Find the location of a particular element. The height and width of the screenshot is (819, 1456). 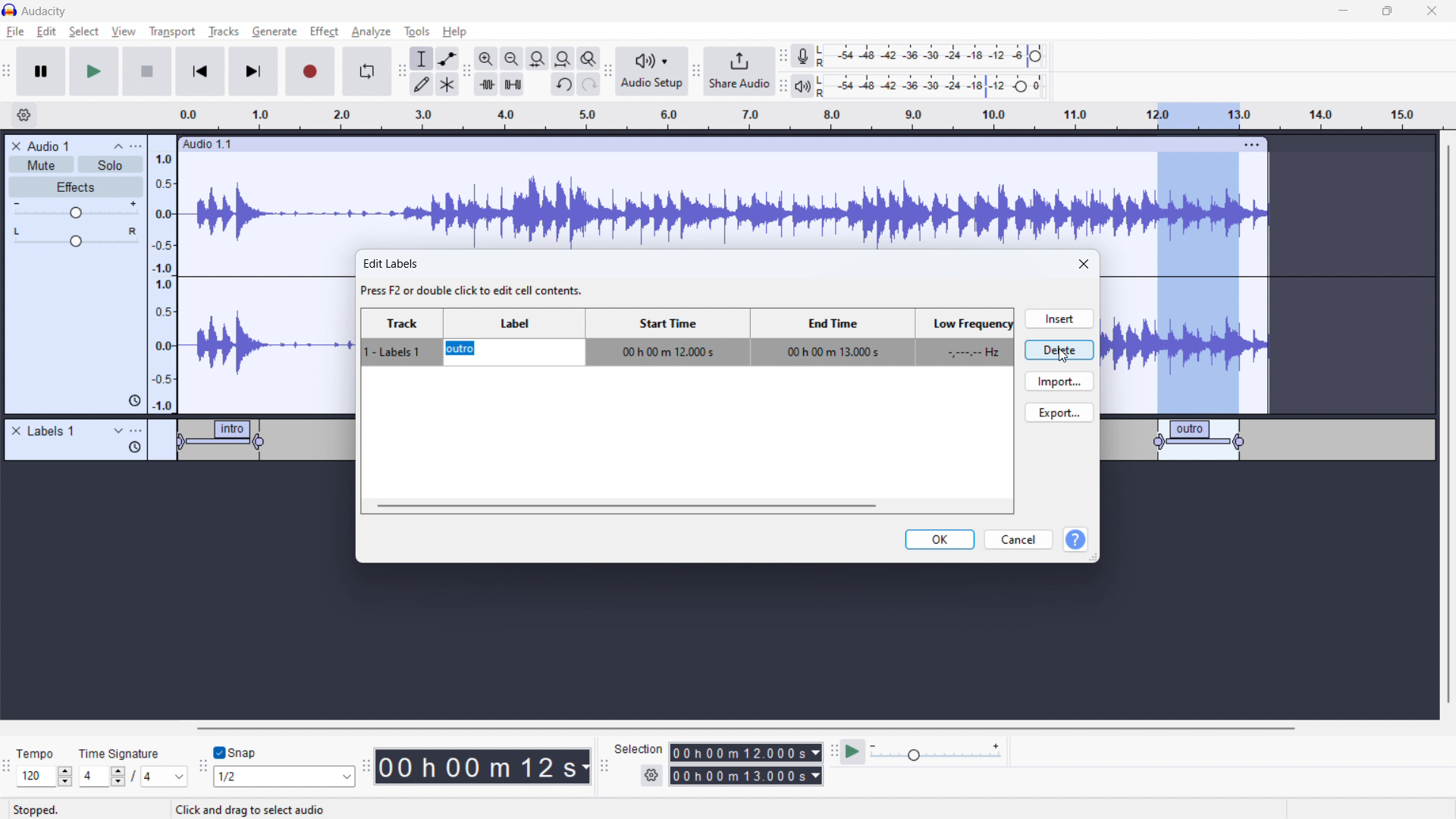

Timeline is located at coordinates (1267, 512).